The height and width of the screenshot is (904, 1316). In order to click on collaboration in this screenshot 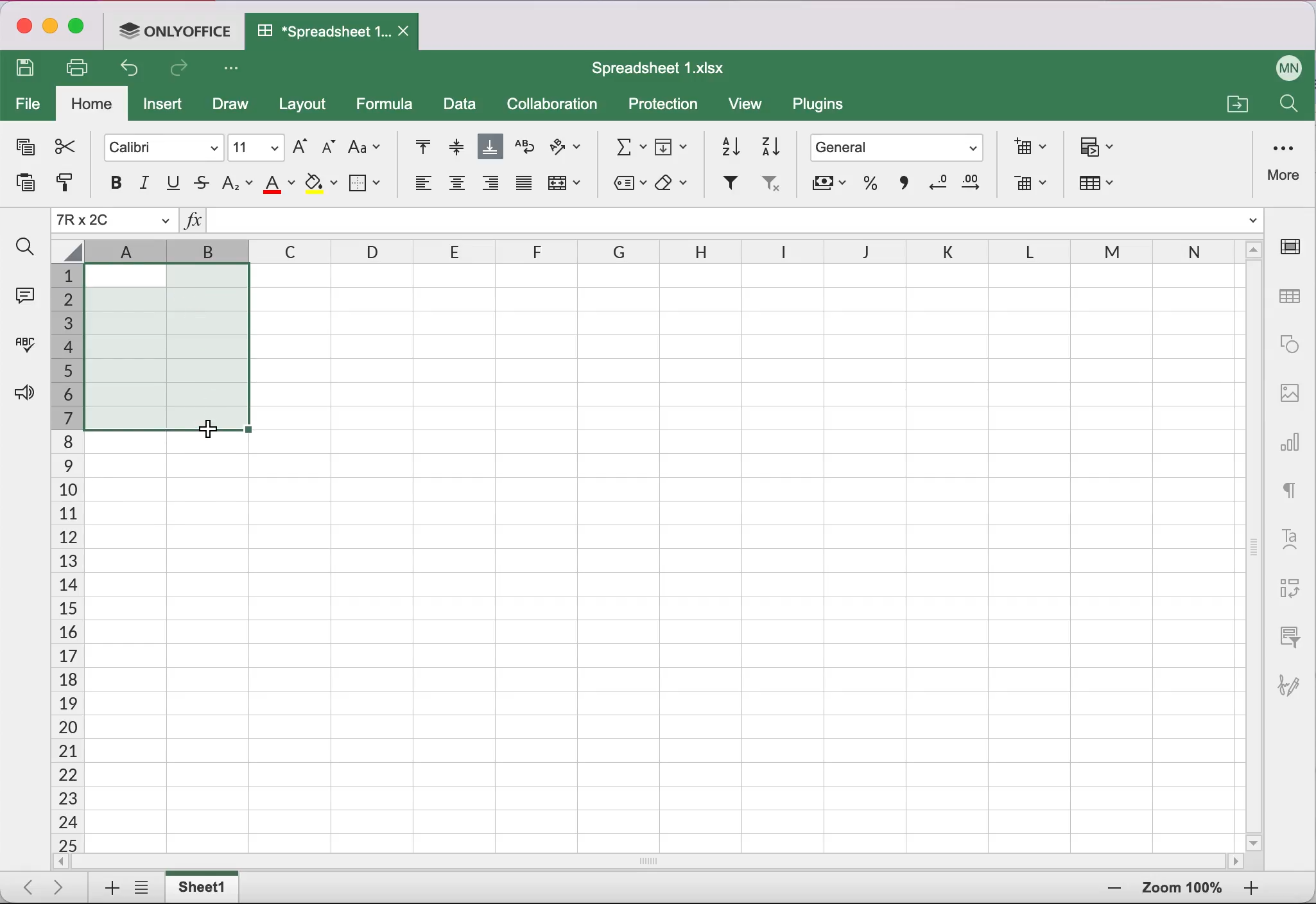, I will do `click(558, 105)`.